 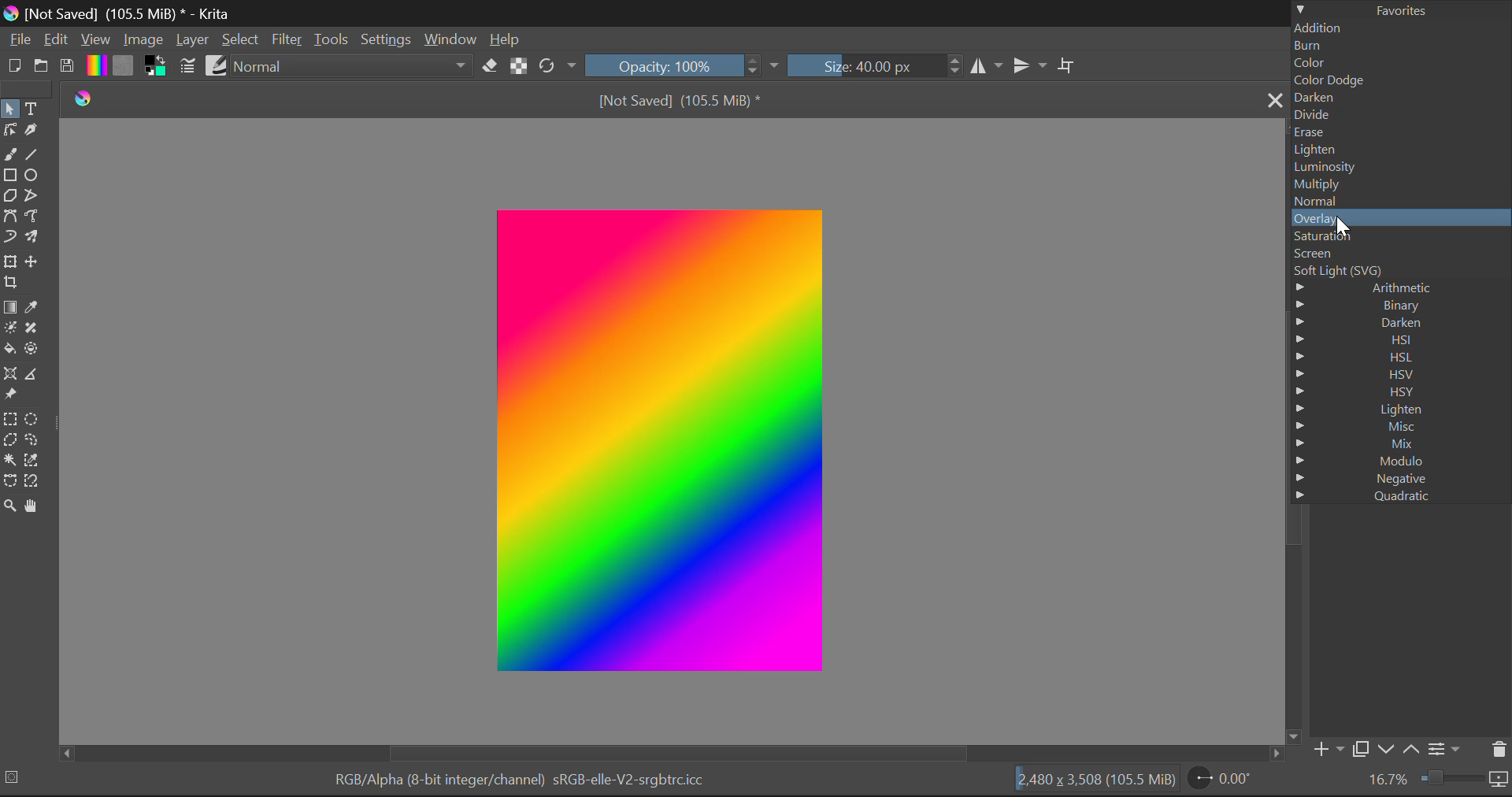 What do you see at coordinates (20, 42) in the screenshot?
I see `File` at bounding box center [20, 42].